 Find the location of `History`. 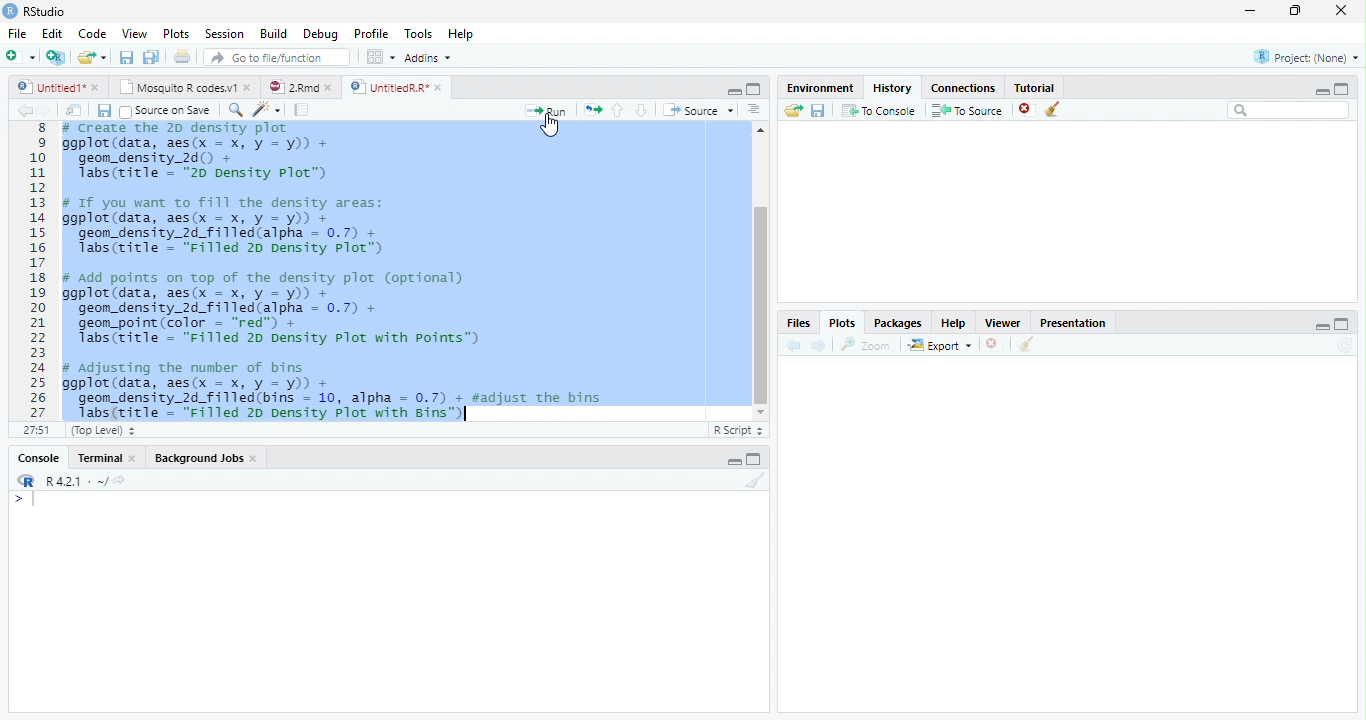

History is located at coordinates (892, 88).